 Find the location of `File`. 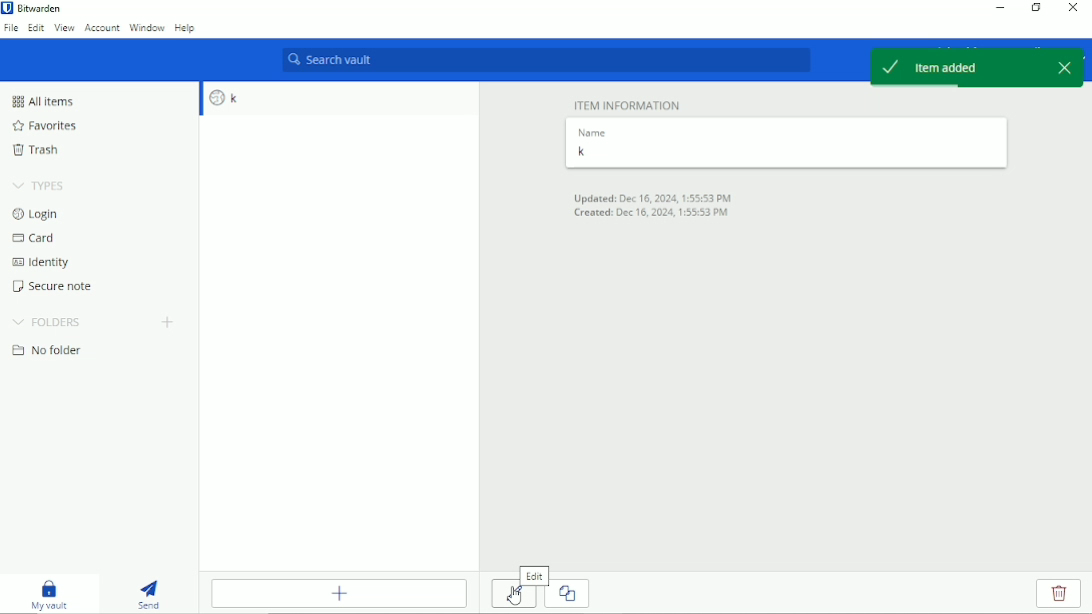

File is located at coordinates (10, 31).